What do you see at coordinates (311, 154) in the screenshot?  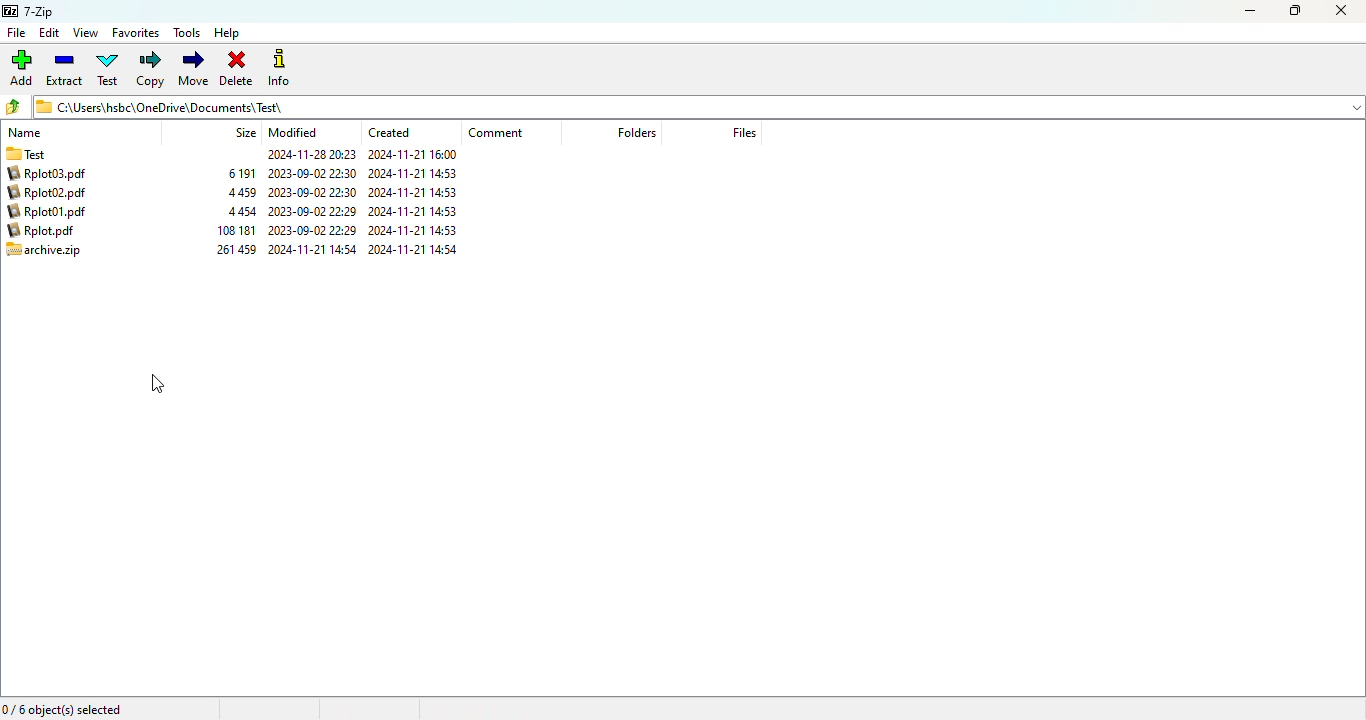 I see `` at bounding box center [311, 154].